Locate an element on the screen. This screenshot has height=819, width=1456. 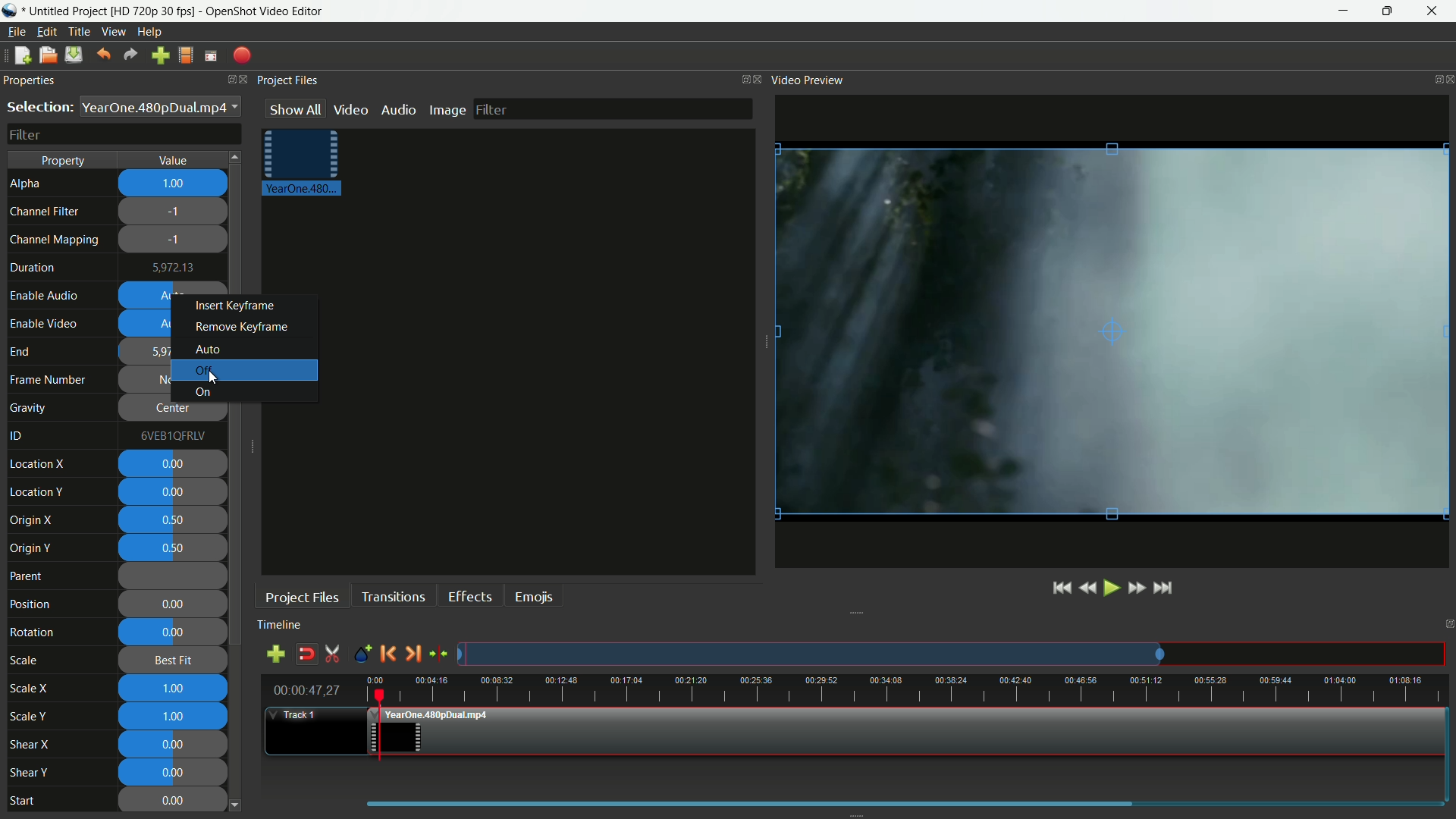
insert keyframe is located at coordinates (236, 306).